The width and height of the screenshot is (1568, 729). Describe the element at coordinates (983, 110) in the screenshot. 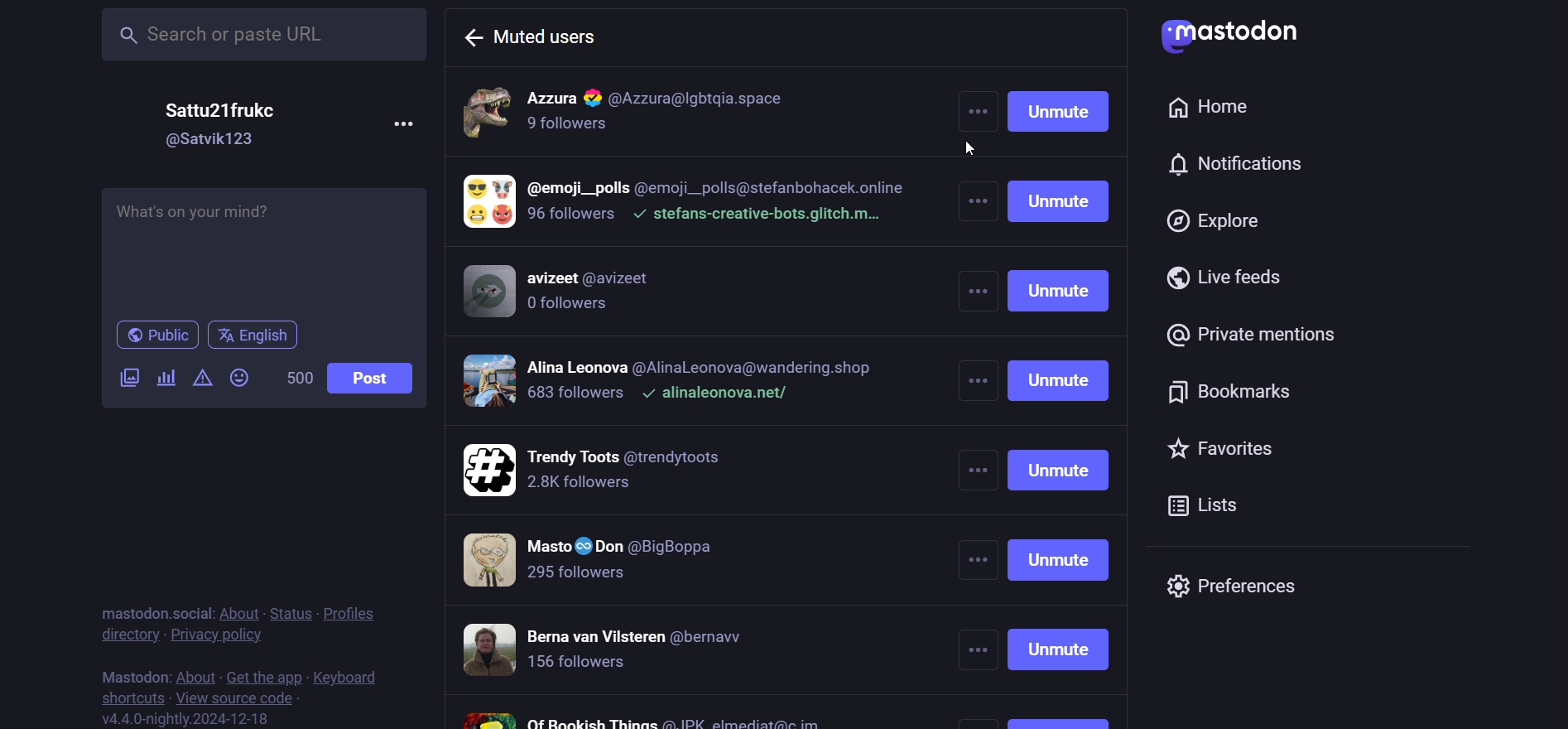

I see `more` at that location.